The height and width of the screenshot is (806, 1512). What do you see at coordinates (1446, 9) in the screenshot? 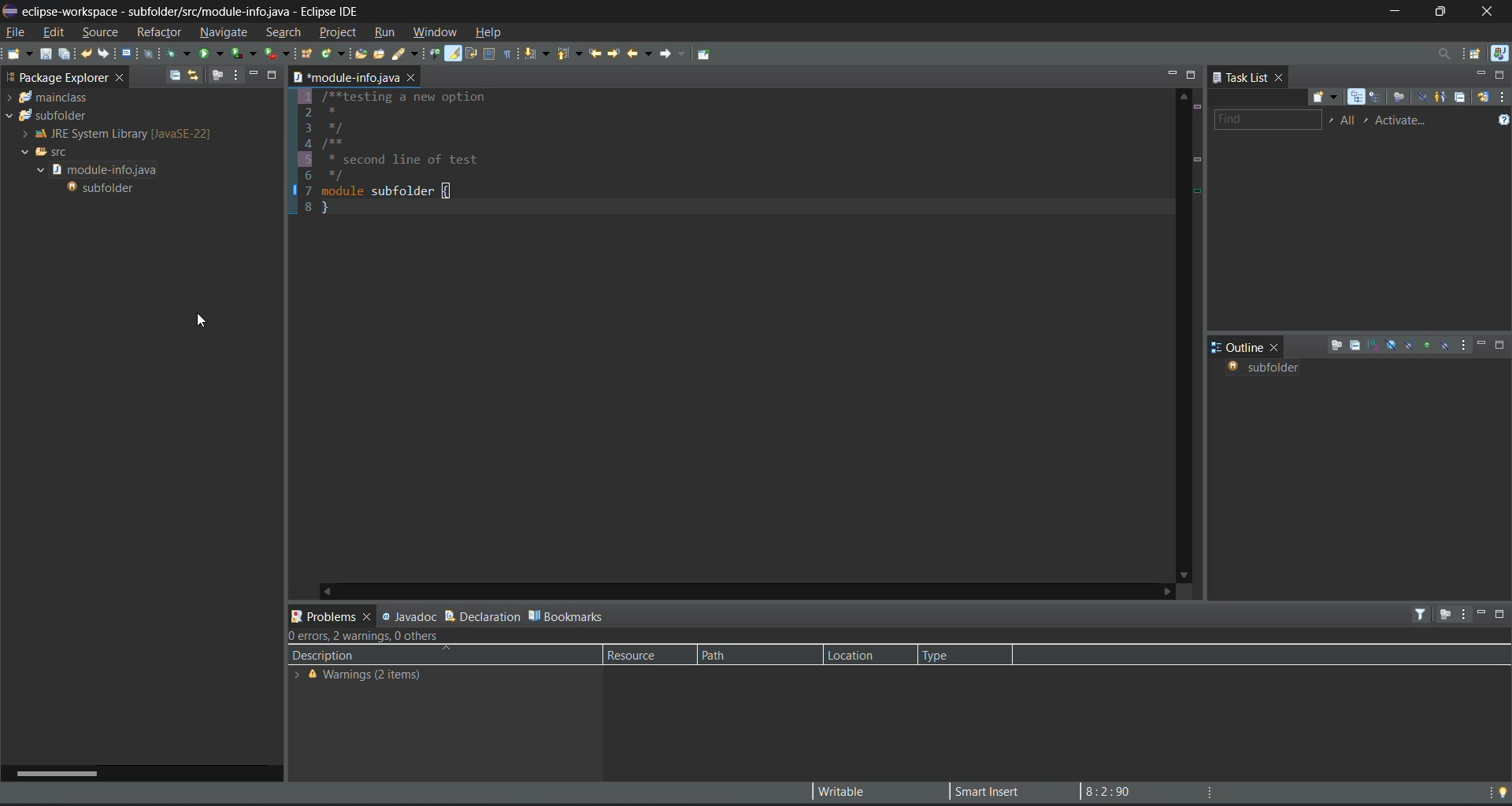
I see `maximize` at bounding box center [1446, 9].